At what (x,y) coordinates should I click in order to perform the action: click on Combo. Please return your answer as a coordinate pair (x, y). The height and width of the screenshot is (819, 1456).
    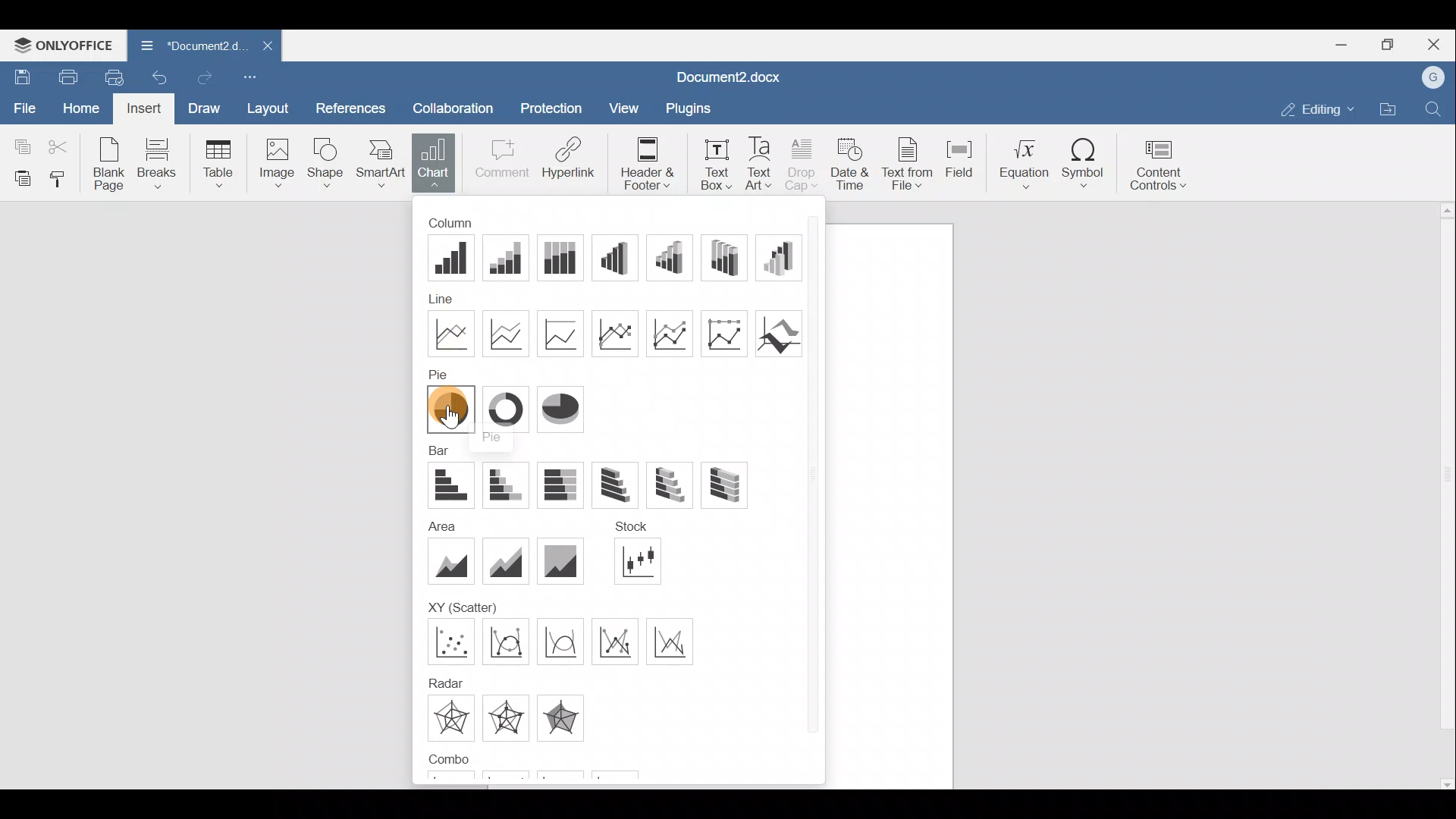
    Looking at the image, I should click on (450, 759).